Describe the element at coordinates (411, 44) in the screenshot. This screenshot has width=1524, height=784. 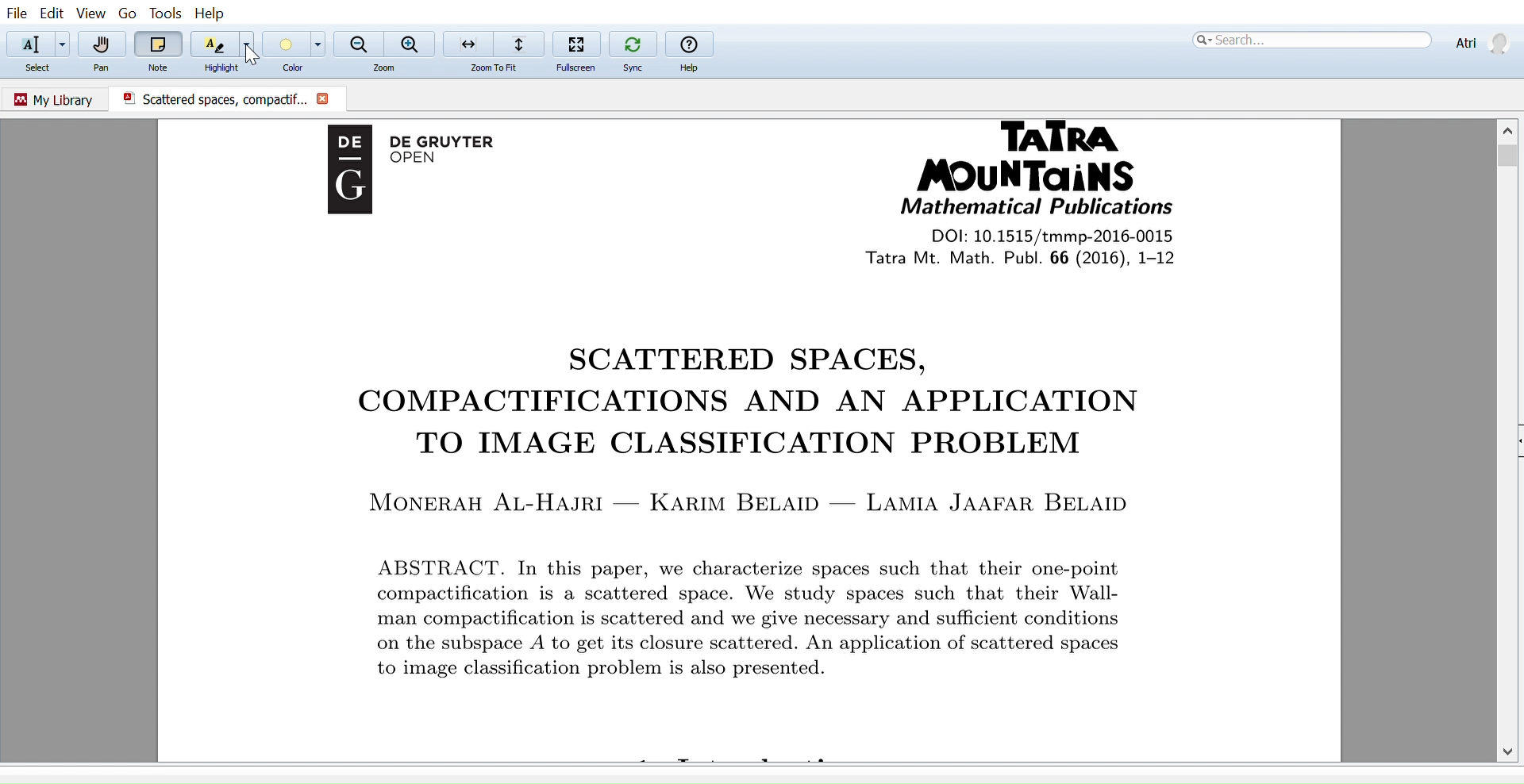
I see `Zoom in` at that location.